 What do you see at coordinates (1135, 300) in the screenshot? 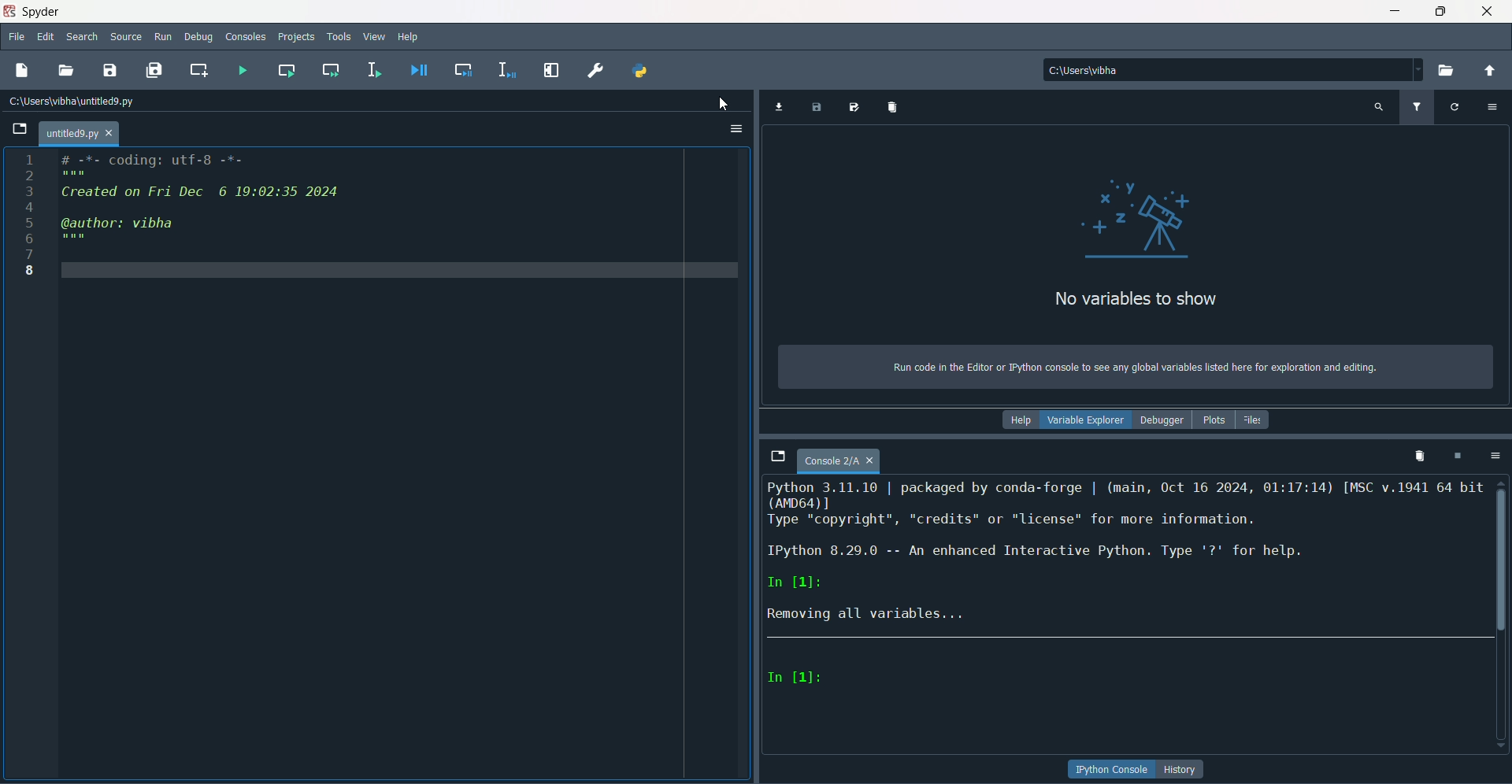
I see `text` at bounding box center [1135, 300].